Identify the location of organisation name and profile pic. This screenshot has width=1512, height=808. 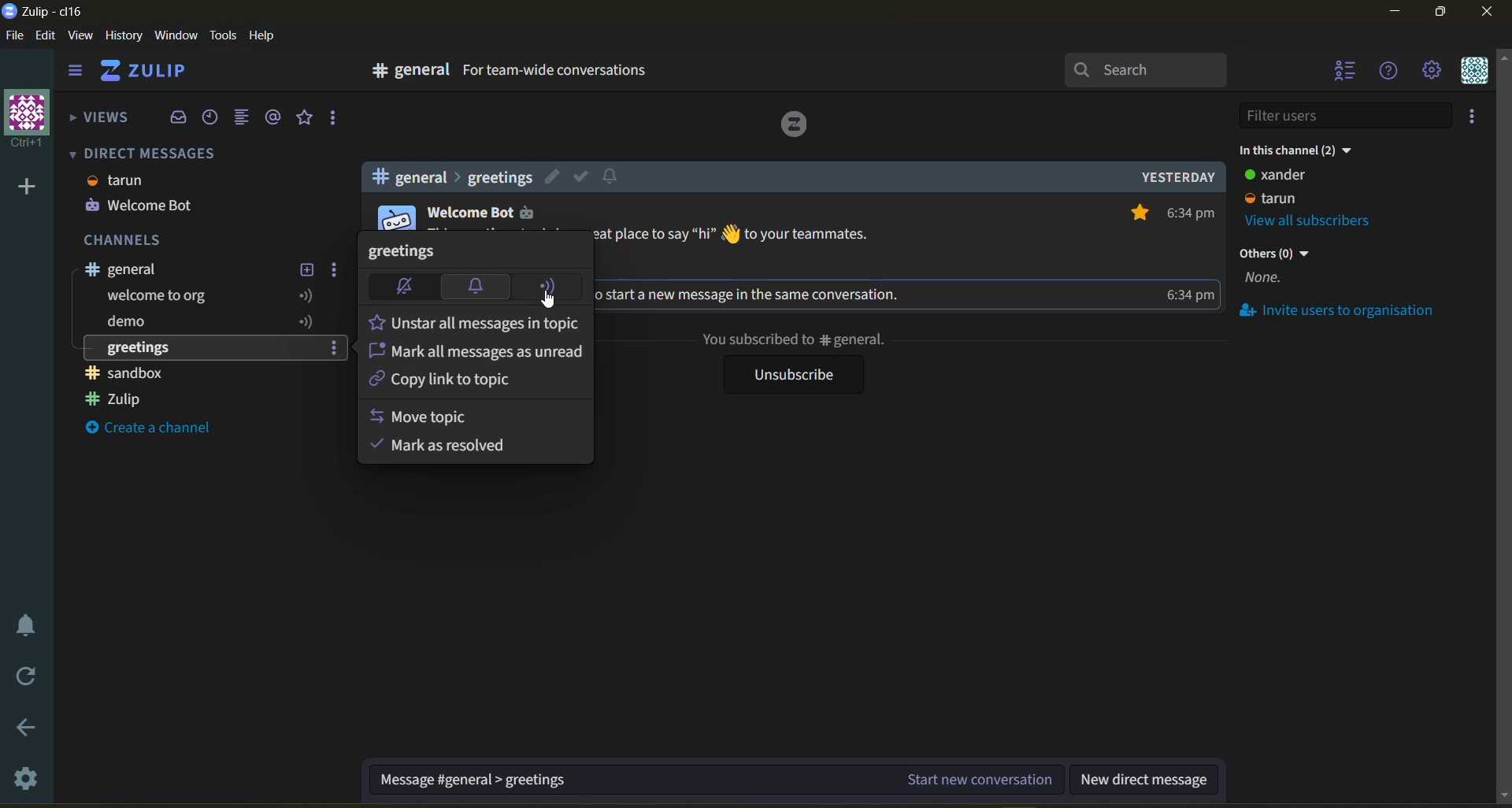
(24, 119).